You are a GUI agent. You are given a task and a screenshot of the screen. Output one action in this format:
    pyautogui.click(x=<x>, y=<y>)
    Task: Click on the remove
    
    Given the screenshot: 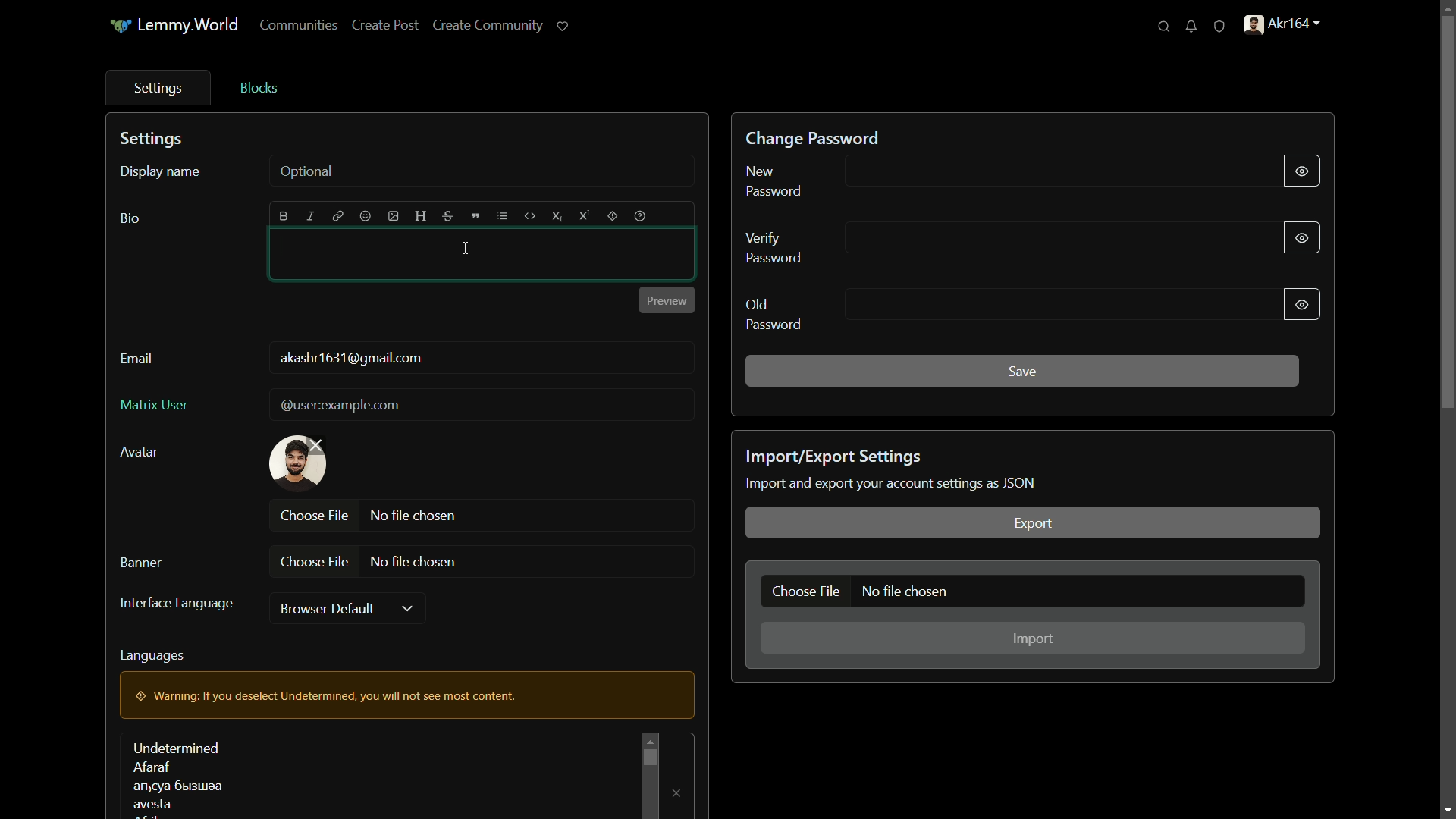 What is the action you would take?
    pyautogui.click(x=673, y=792)
    